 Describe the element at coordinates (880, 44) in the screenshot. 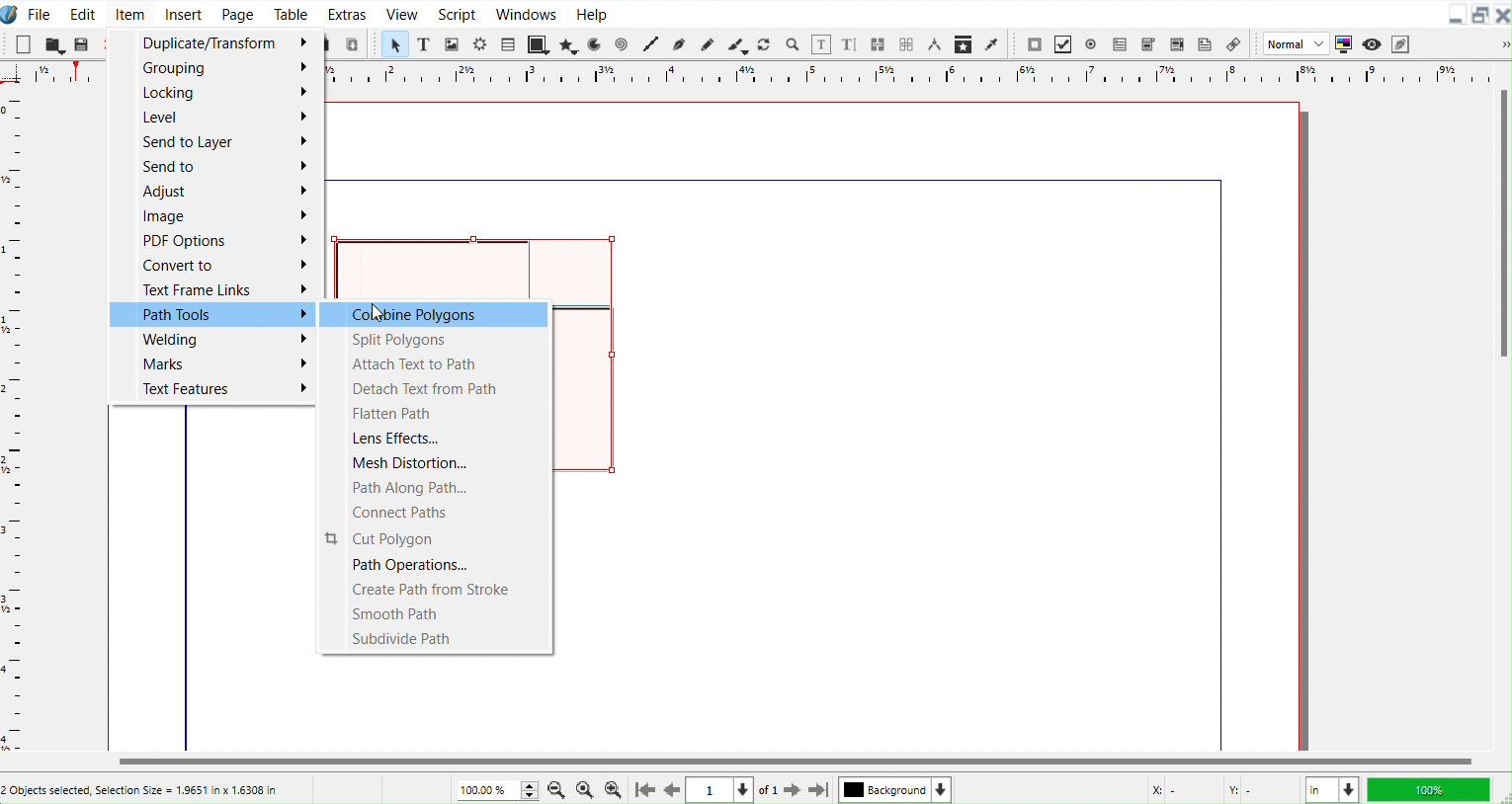

I see `Link text frame` at that location.